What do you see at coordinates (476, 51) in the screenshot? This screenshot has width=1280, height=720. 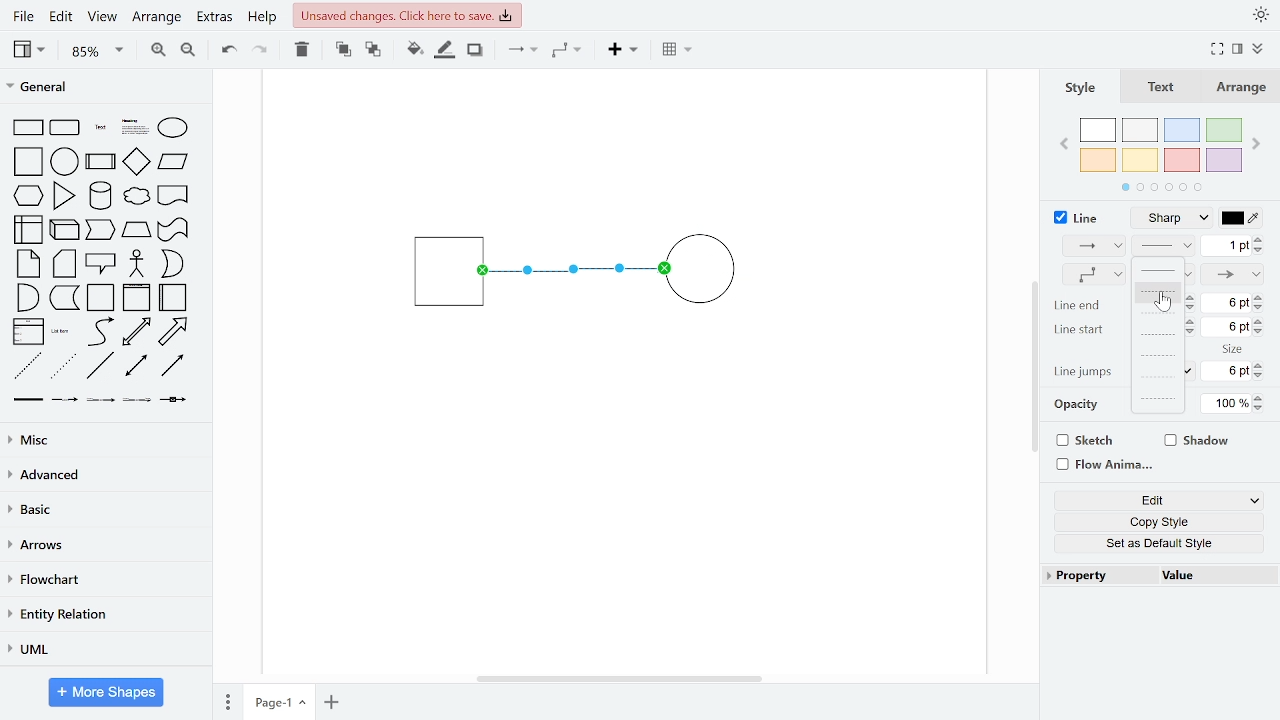 I see `shadow` at bounding box center [476, 51].